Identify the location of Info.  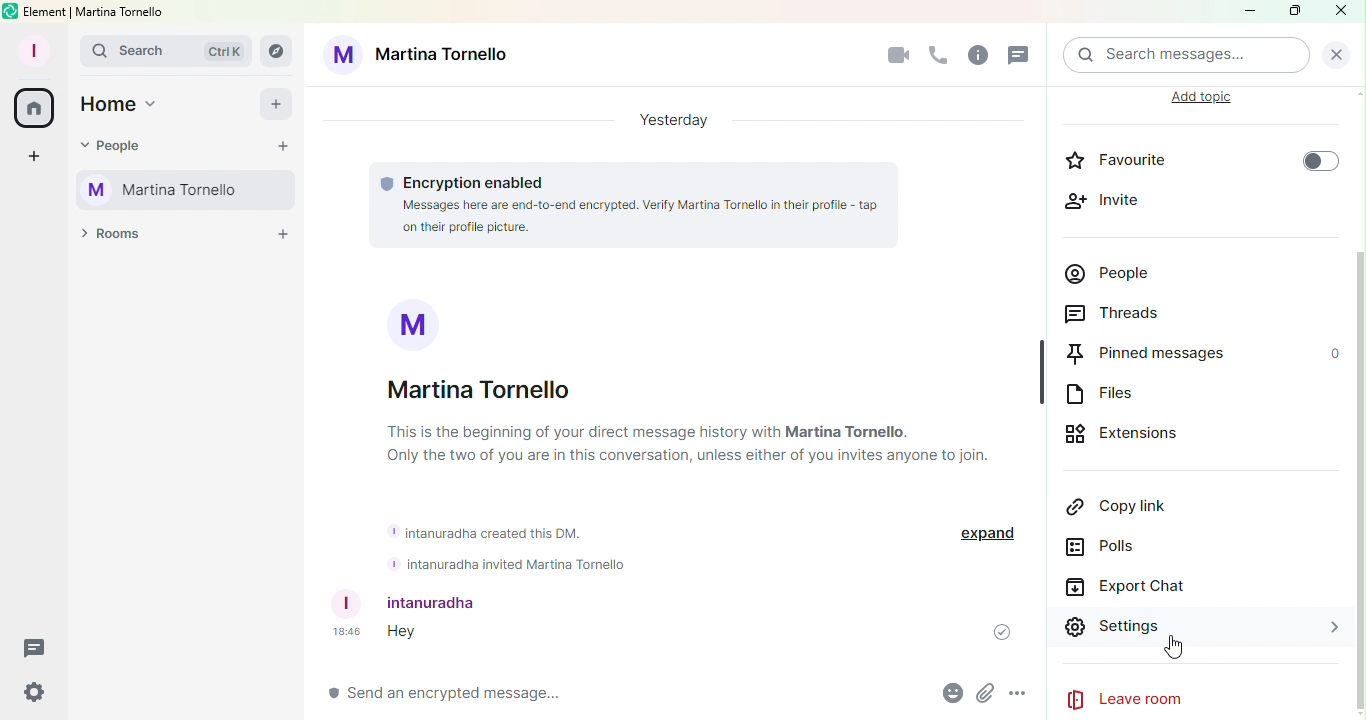
(978, 56).